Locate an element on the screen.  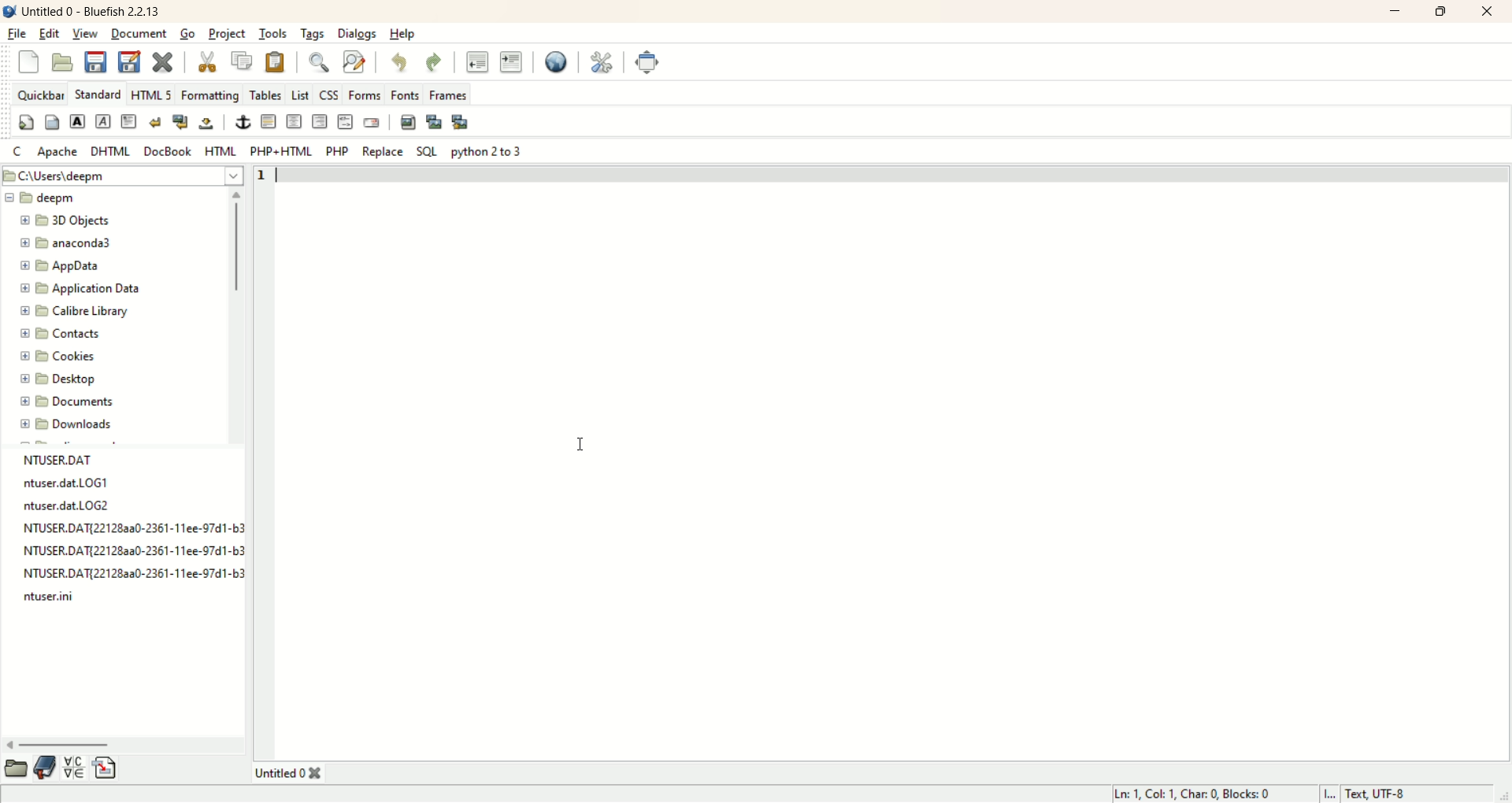
redo is located at coordinates (432, 62).